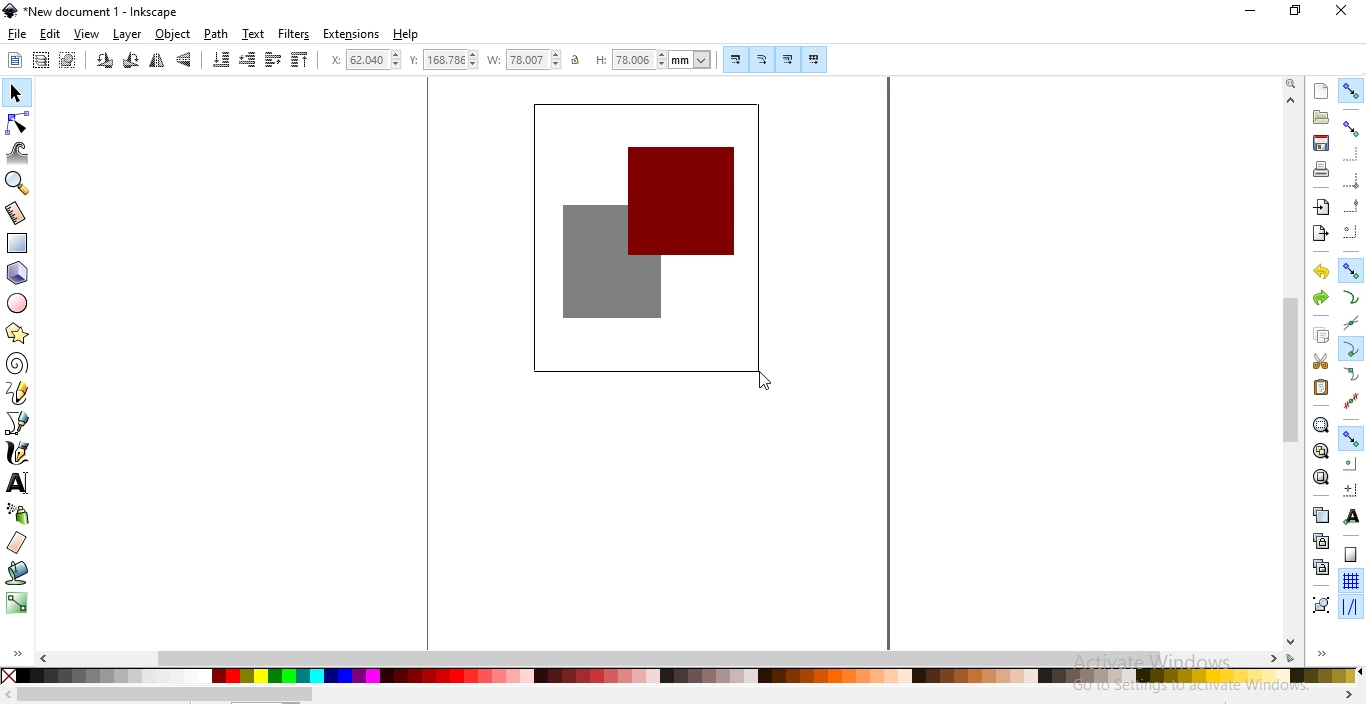 The width and height of the screenshot is (1366, 704). I want to click on snap centers of objects, so click(1351, 463).